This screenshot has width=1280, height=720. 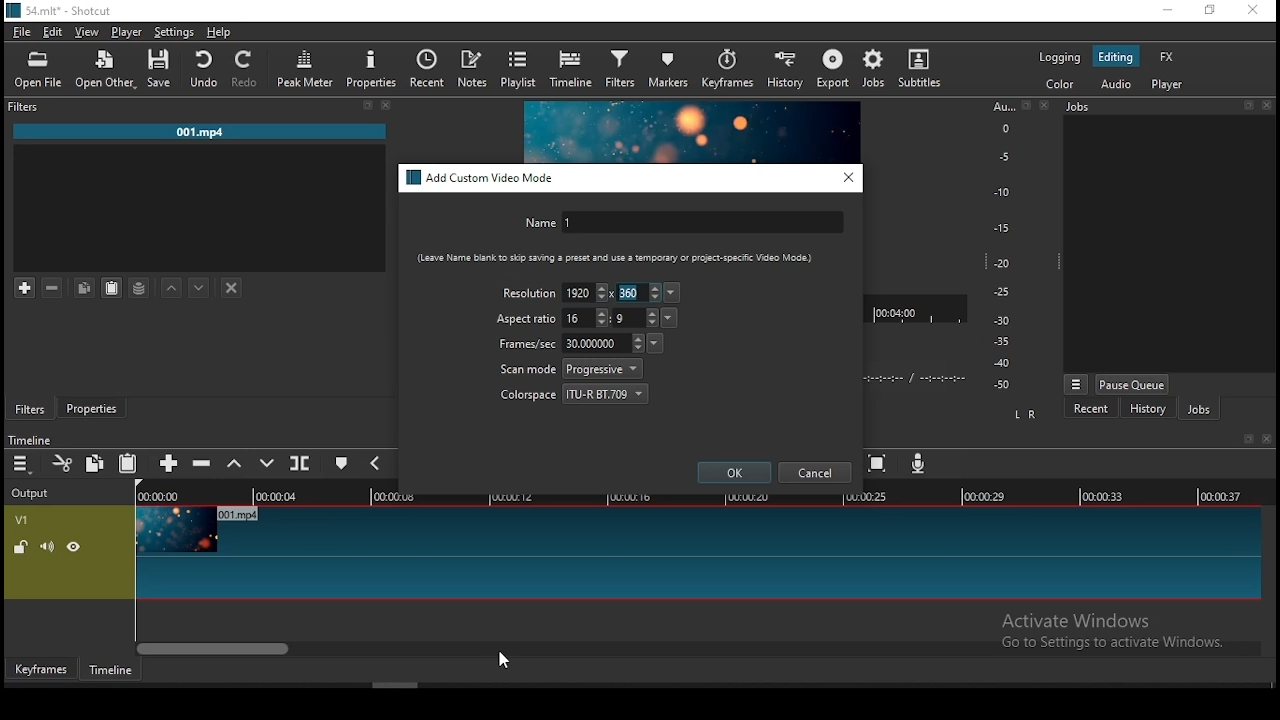 What do you see at coordinates (41, 670) in the screenshot?
I see `keyframe` at bounding box center [41, 670].